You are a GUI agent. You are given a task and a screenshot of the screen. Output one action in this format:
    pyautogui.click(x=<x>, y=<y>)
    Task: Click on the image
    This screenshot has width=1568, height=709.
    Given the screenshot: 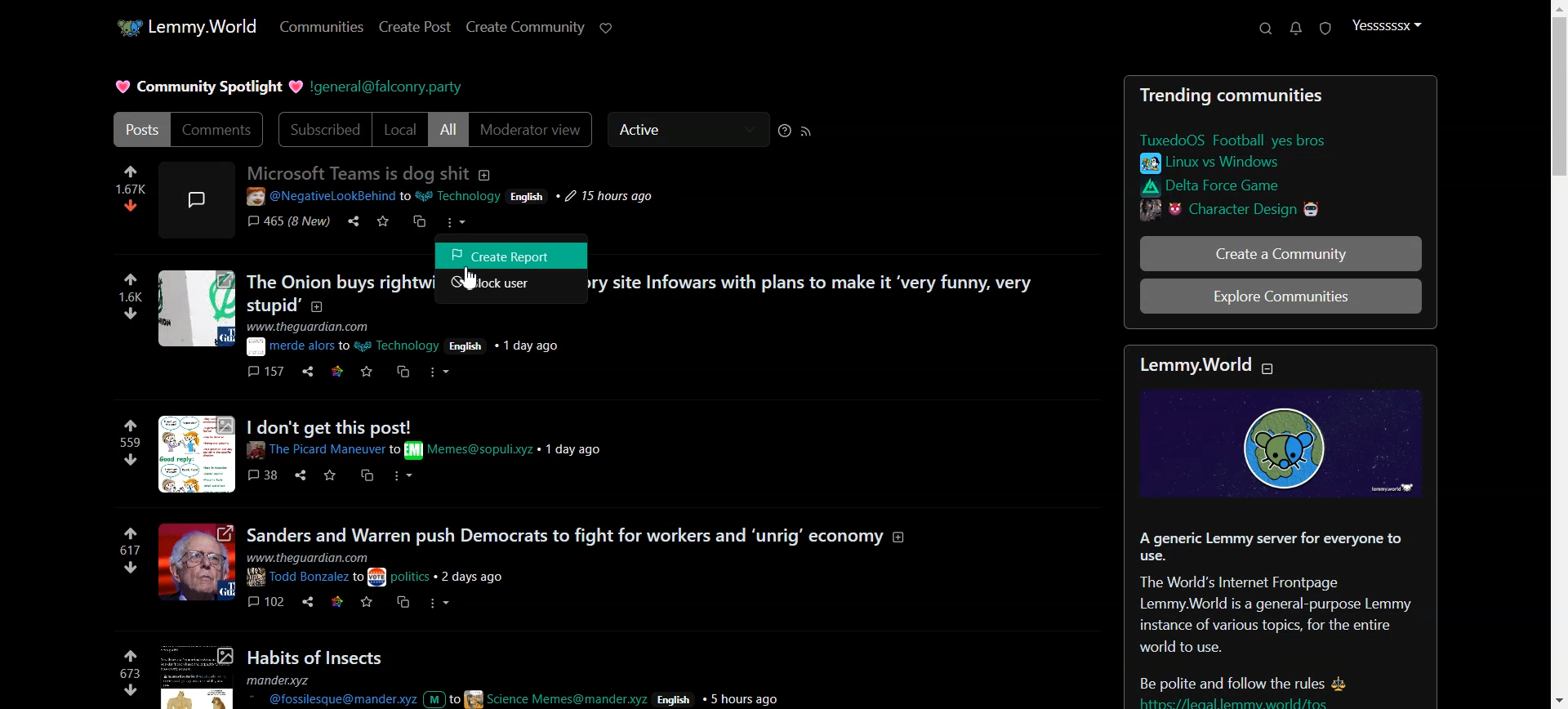 What is the action you would take?
    pyautogui.click(x=194, y=676)
    